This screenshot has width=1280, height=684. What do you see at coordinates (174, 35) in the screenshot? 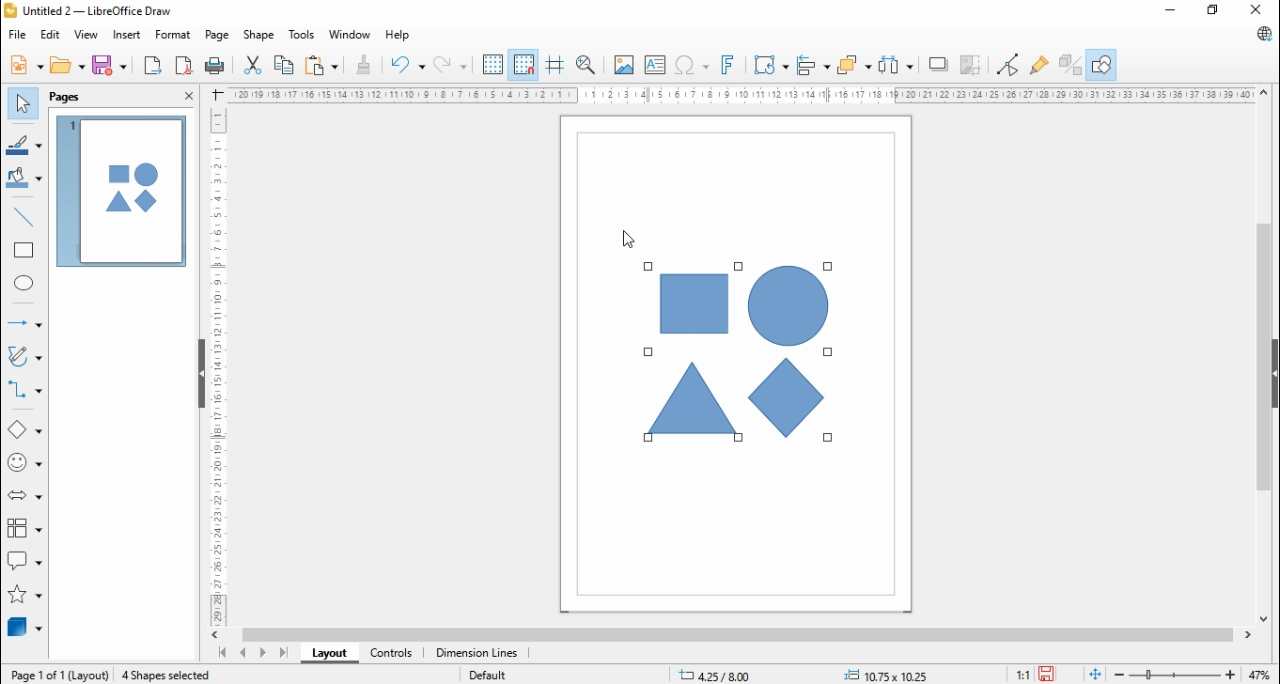
I see `format` at bounding box center [174, 35].